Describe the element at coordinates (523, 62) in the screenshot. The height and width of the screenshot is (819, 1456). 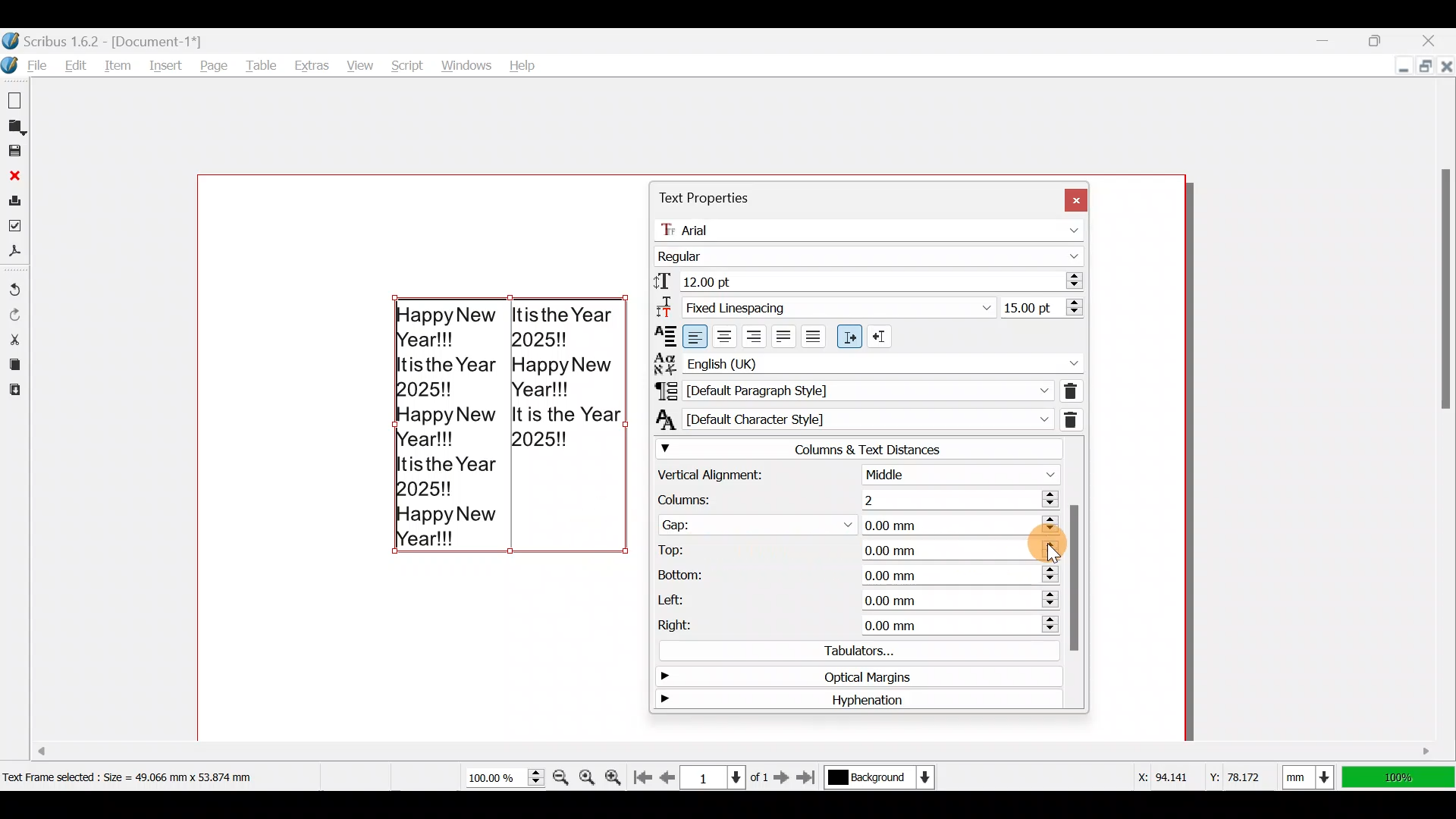
I see `Help` at that location.